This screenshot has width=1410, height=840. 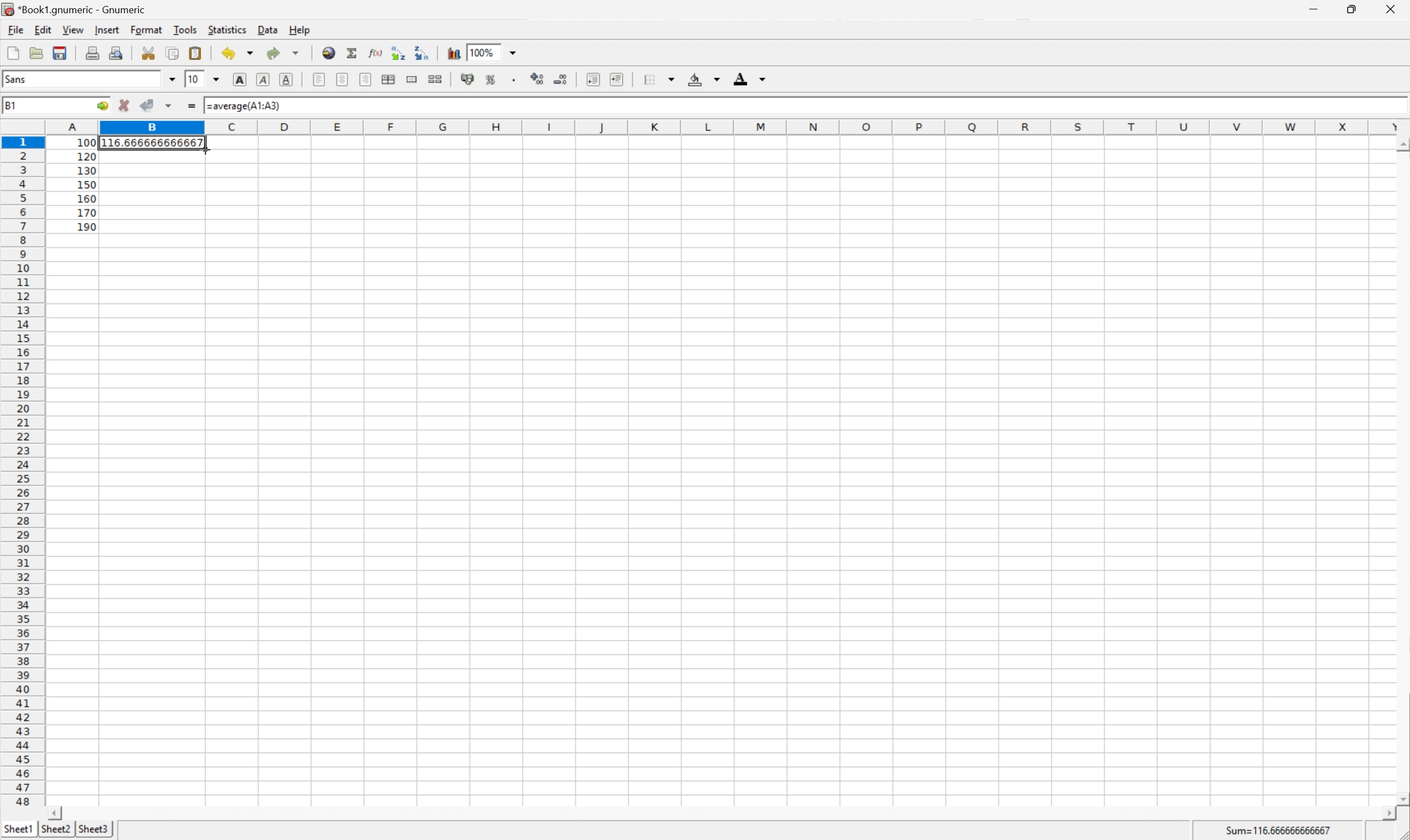 I want to click on Drop Down, so click(x=174, y=79).